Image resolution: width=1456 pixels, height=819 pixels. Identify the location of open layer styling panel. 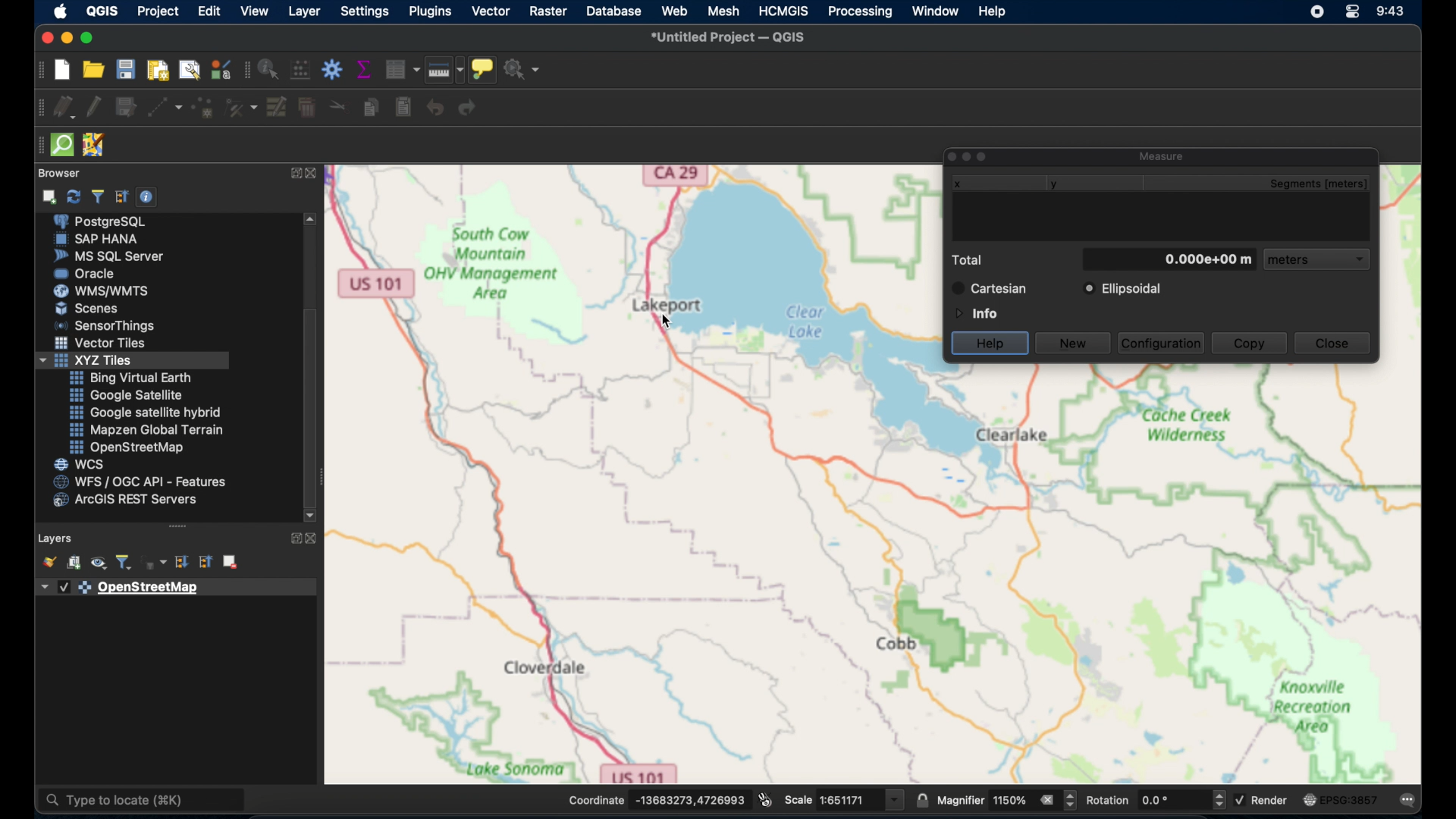
(49, 562).